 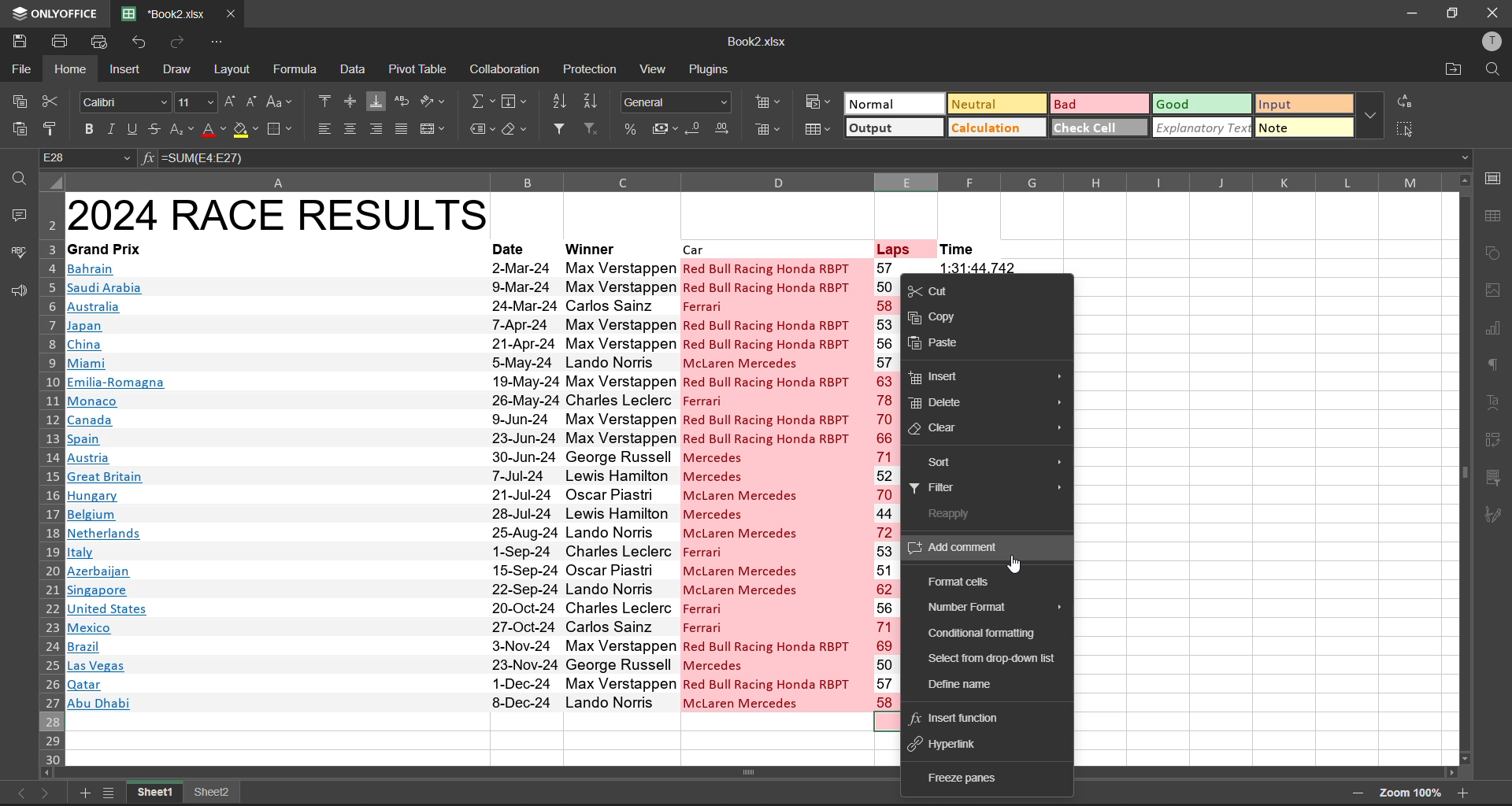 I want to click on merge and center, so click(x=435, y=130).